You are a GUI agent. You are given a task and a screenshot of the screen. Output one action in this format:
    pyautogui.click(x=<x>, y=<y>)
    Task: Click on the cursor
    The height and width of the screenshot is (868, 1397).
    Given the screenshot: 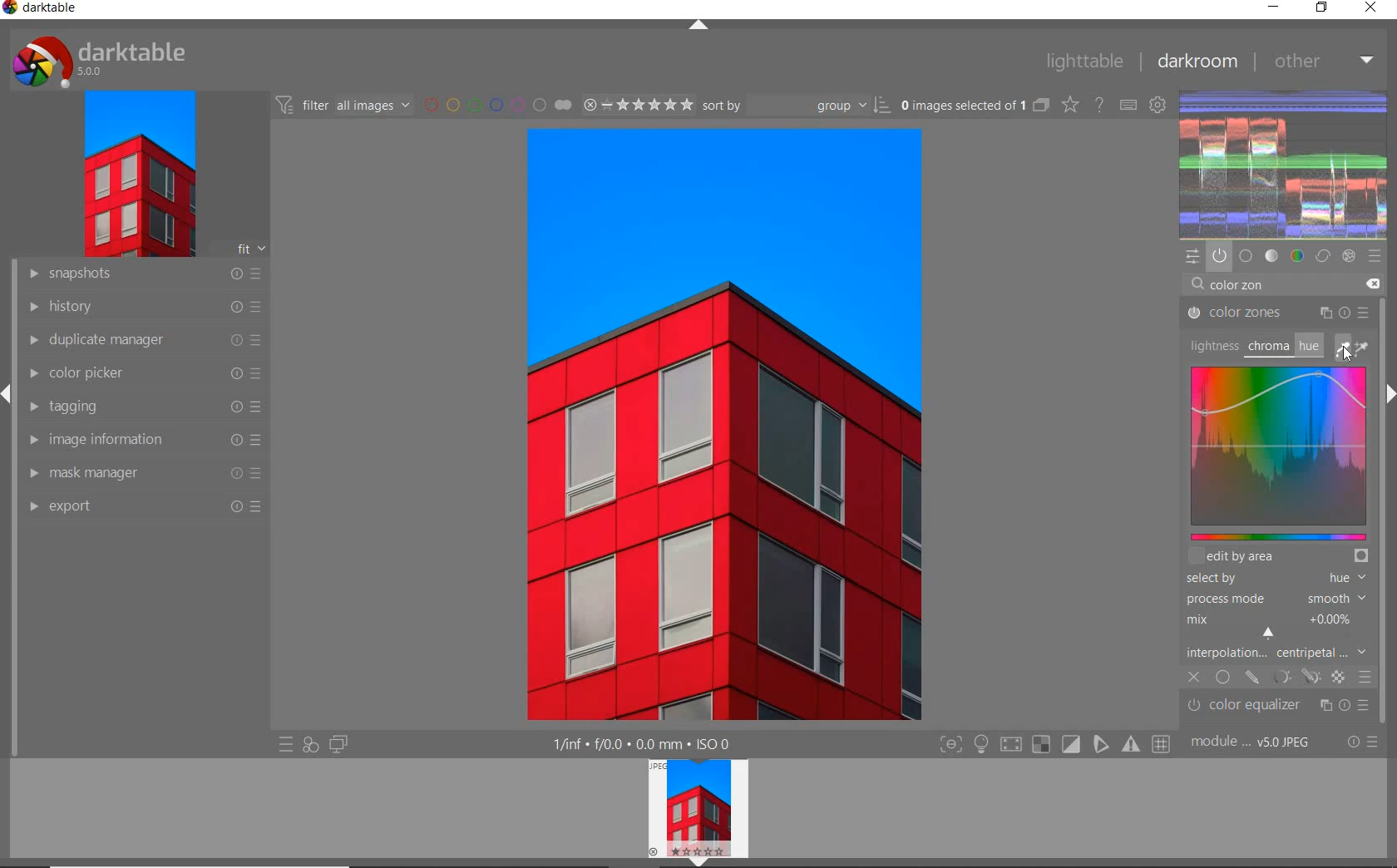 What is the action you would take?
    pyautogui.click(x=1271, y=632)
    